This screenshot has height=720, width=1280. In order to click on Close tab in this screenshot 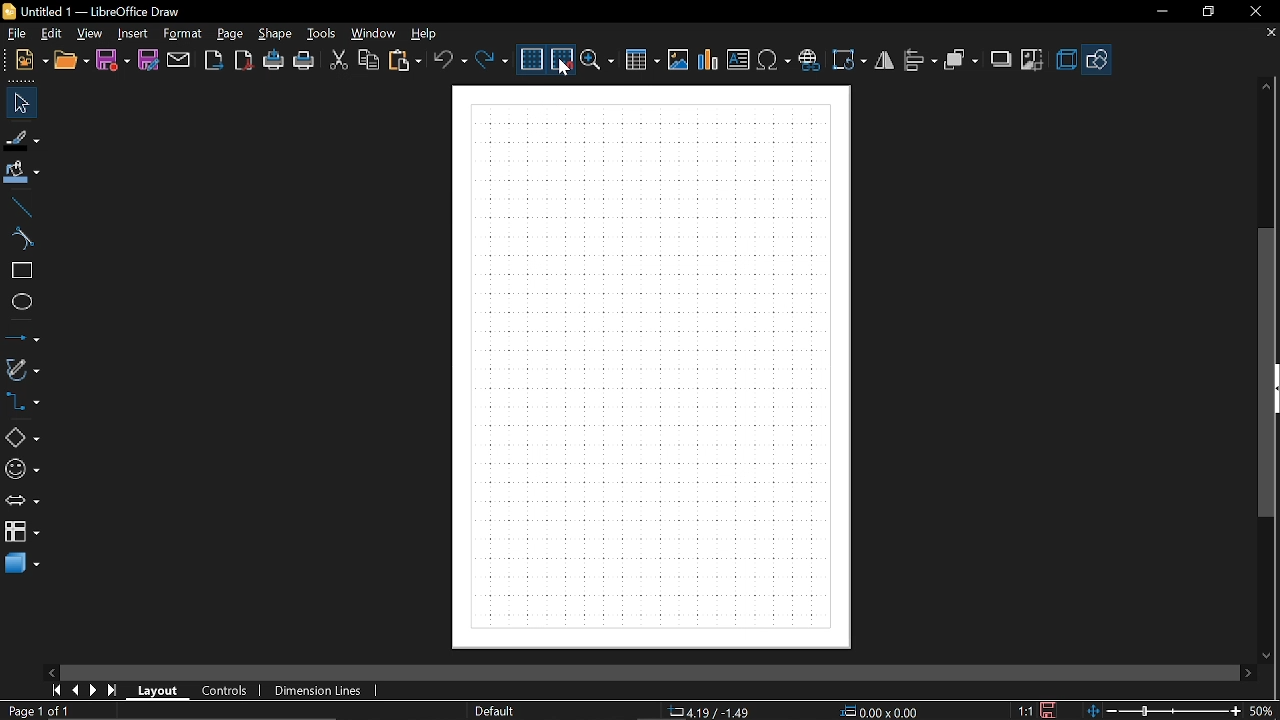, I will do `click(1268, 34)`.